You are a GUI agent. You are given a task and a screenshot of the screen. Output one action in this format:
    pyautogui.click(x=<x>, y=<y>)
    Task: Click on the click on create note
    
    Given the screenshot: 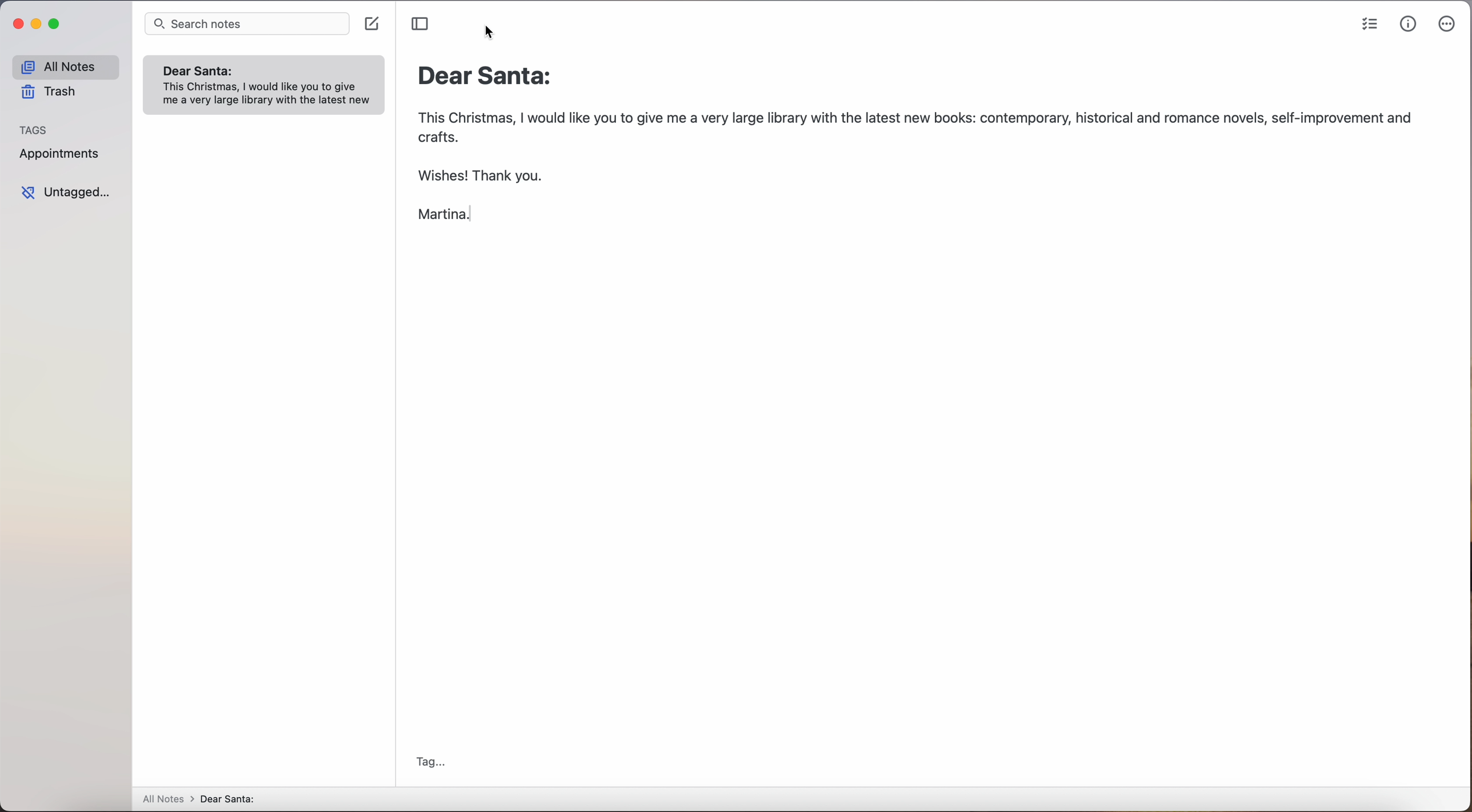 What is the action you would take?
    pyautogui.click(x=374, y=26)
    